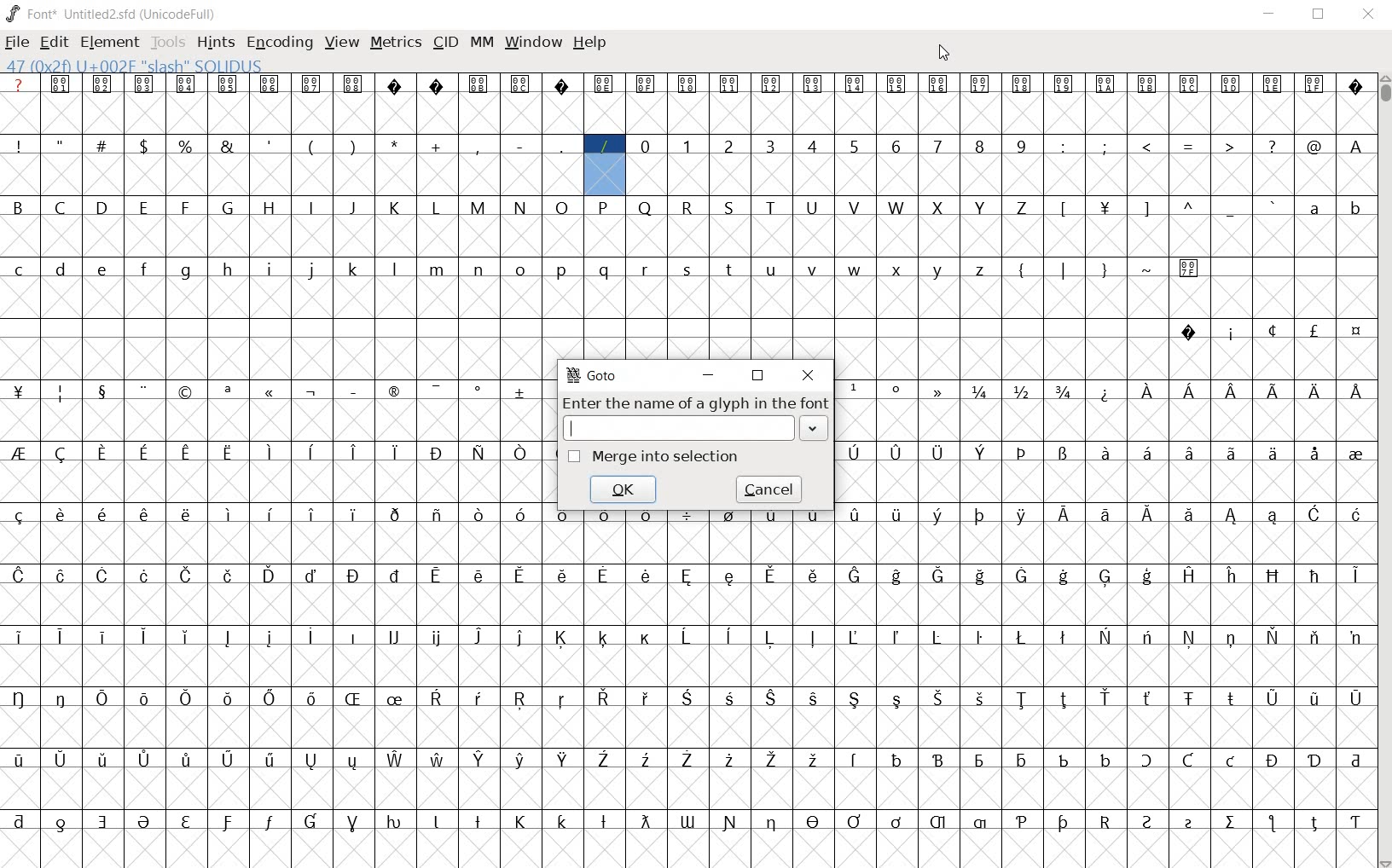 Image resolution: width=1392 pixels, height=868 pixels. I want to click on glyph, so click(853, 84).